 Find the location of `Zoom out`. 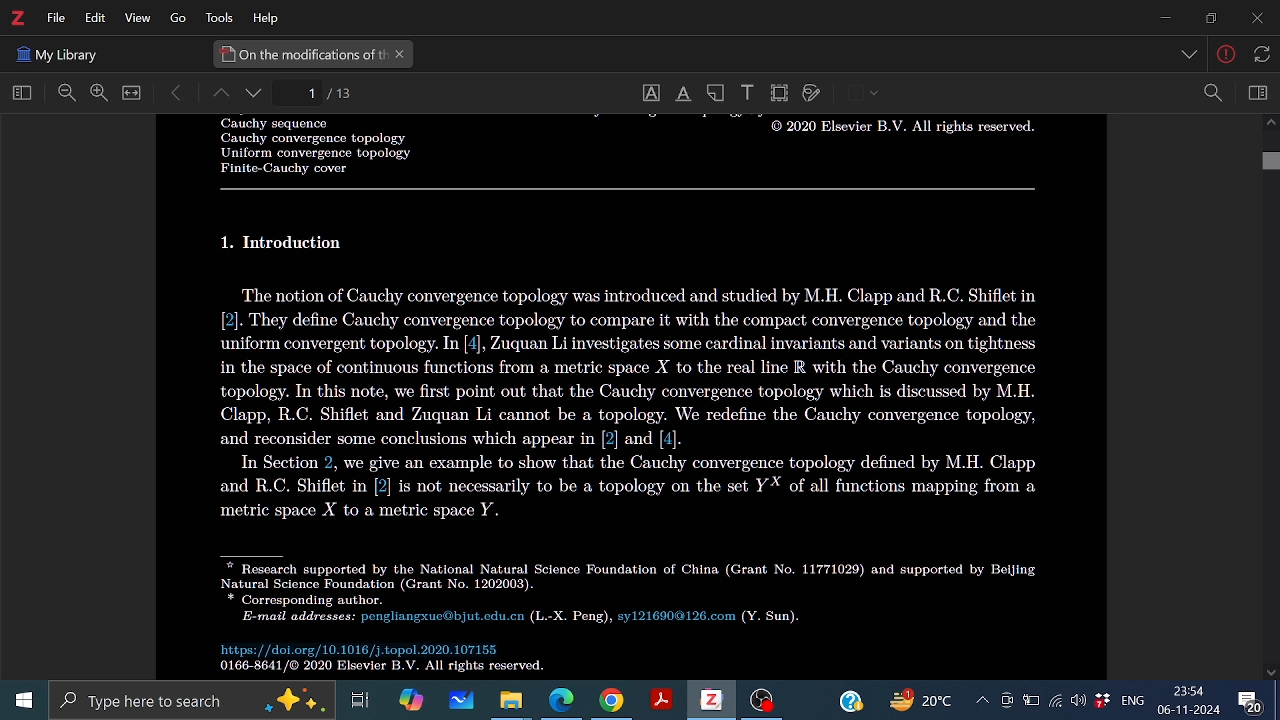

Zoom out is located at coordinates (67, 94).